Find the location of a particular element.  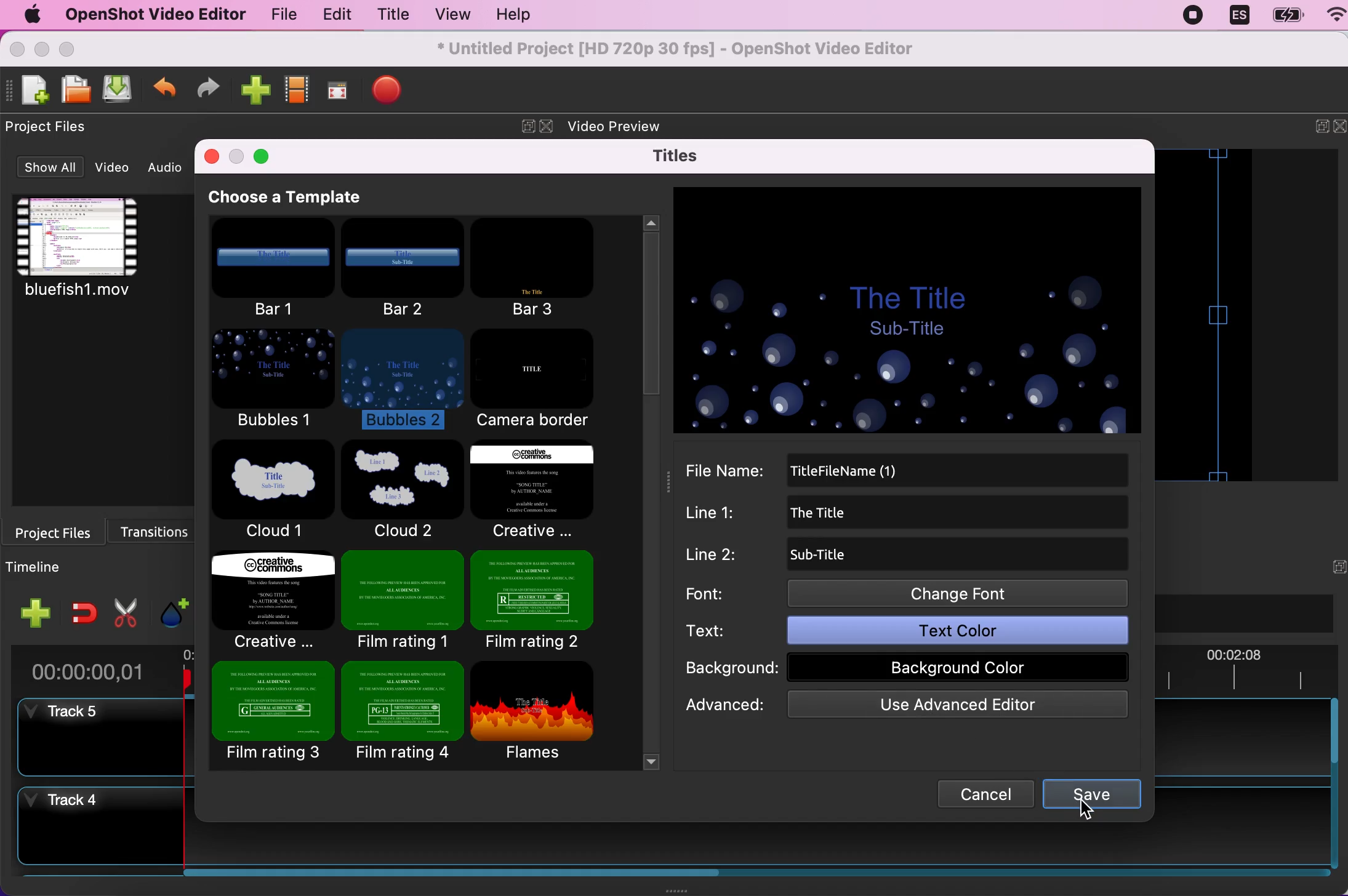

film rating 3 is located at coordinates (273, 714).